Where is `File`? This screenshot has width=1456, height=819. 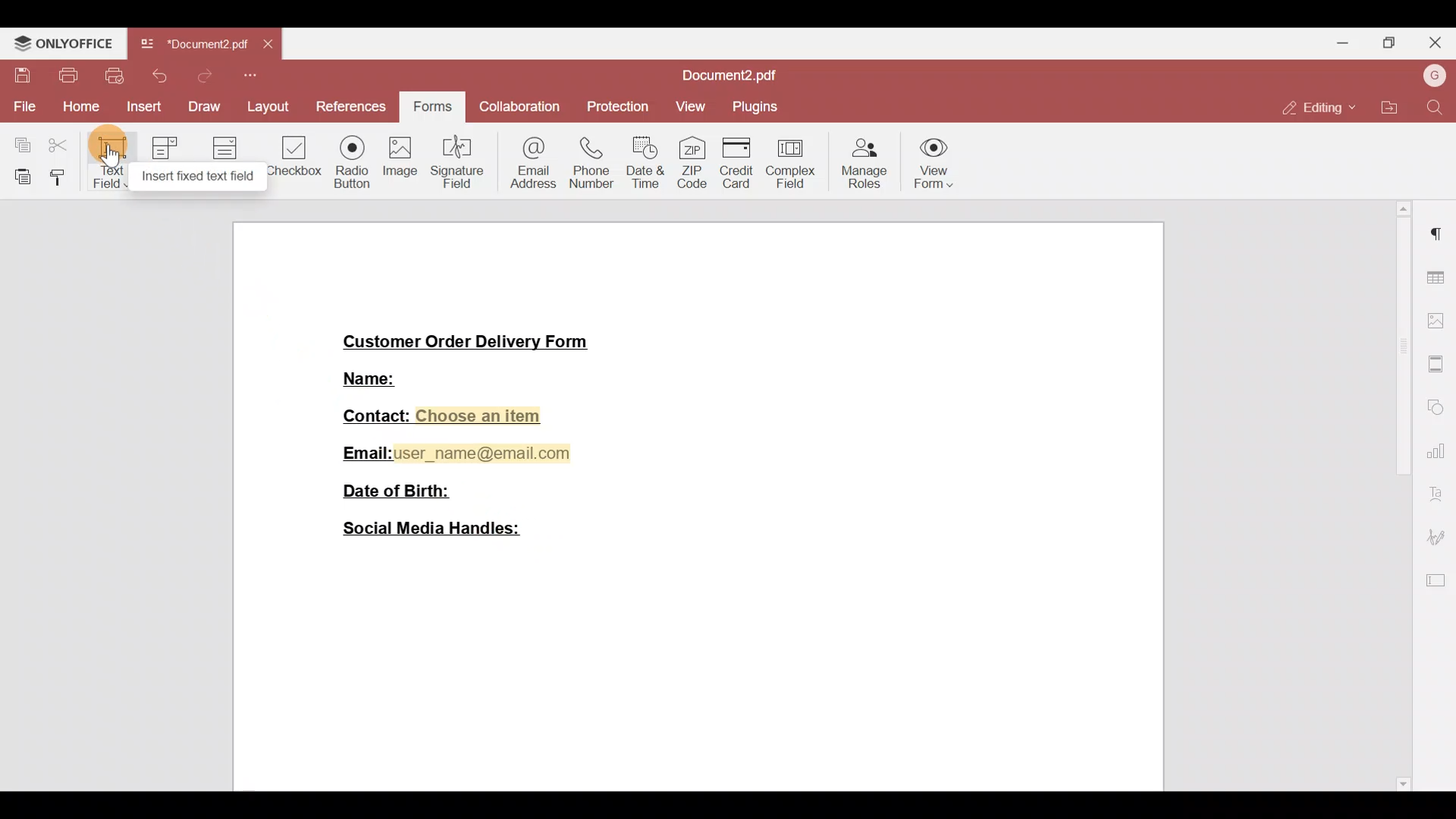 File is located at coordinates (24, 106).